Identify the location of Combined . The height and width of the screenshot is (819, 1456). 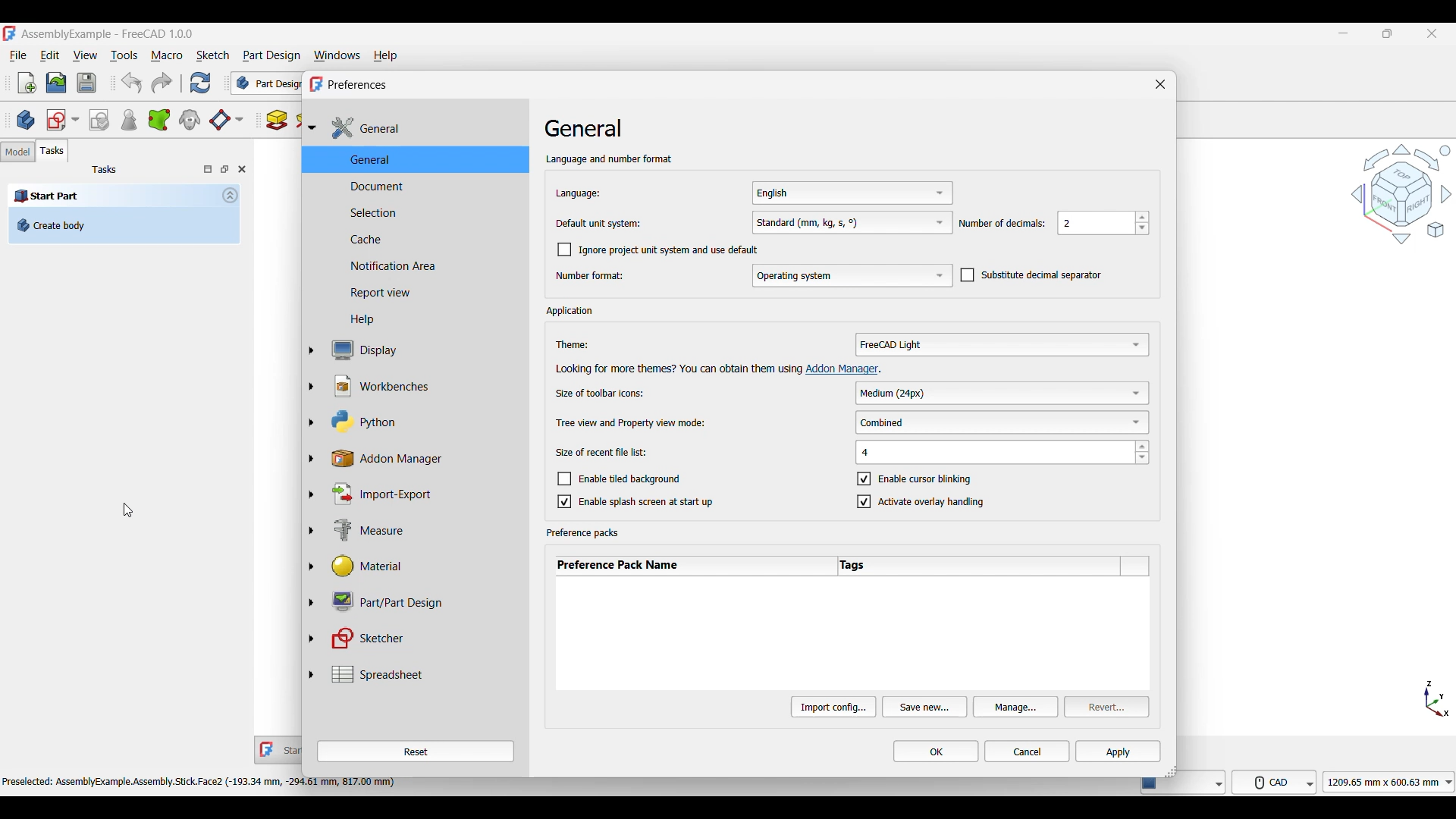
(1004, 422).